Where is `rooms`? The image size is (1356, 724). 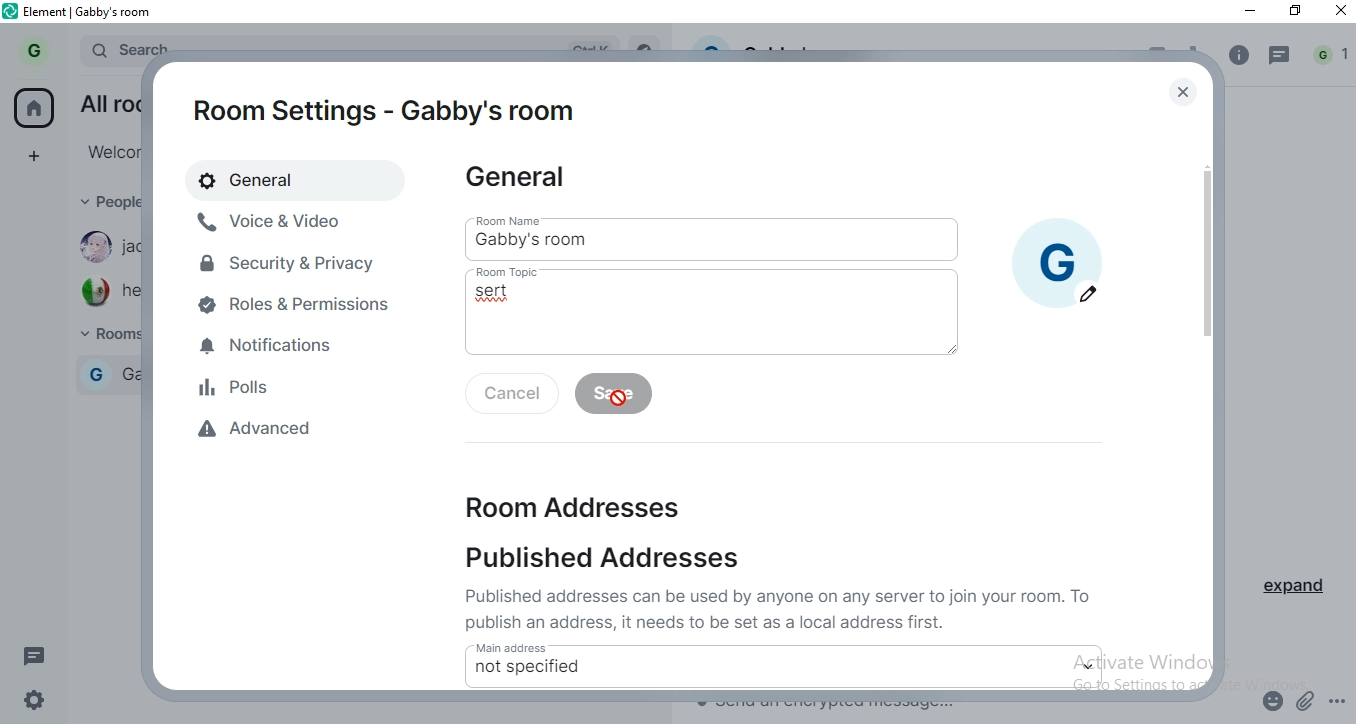 rooms is located at coordinates (103, 336).